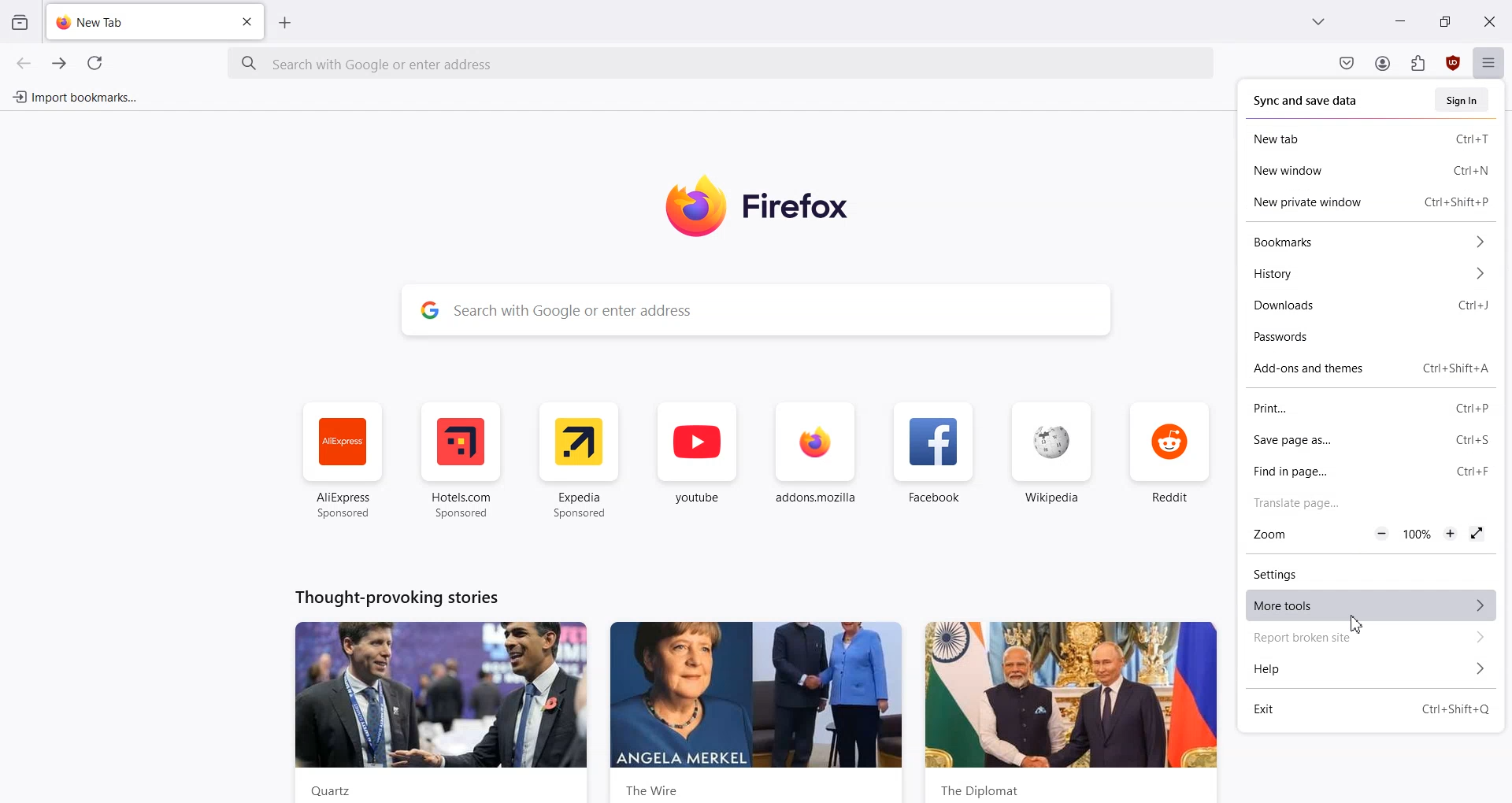 The width and height of the screenshot is (1512, 803). I want to click on New Tab, so click(1334, 139).